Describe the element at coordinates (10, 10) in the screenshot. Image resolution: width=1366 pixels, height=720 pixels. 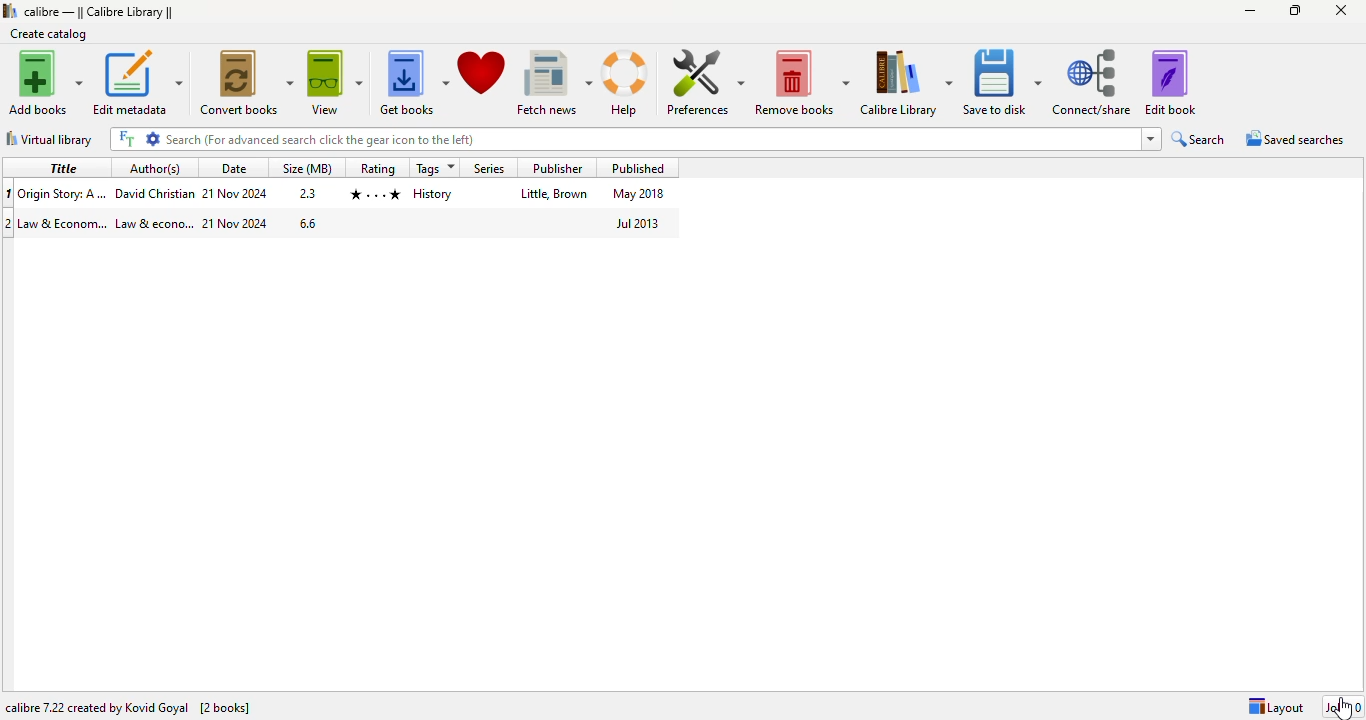
I see `logo` at that location.